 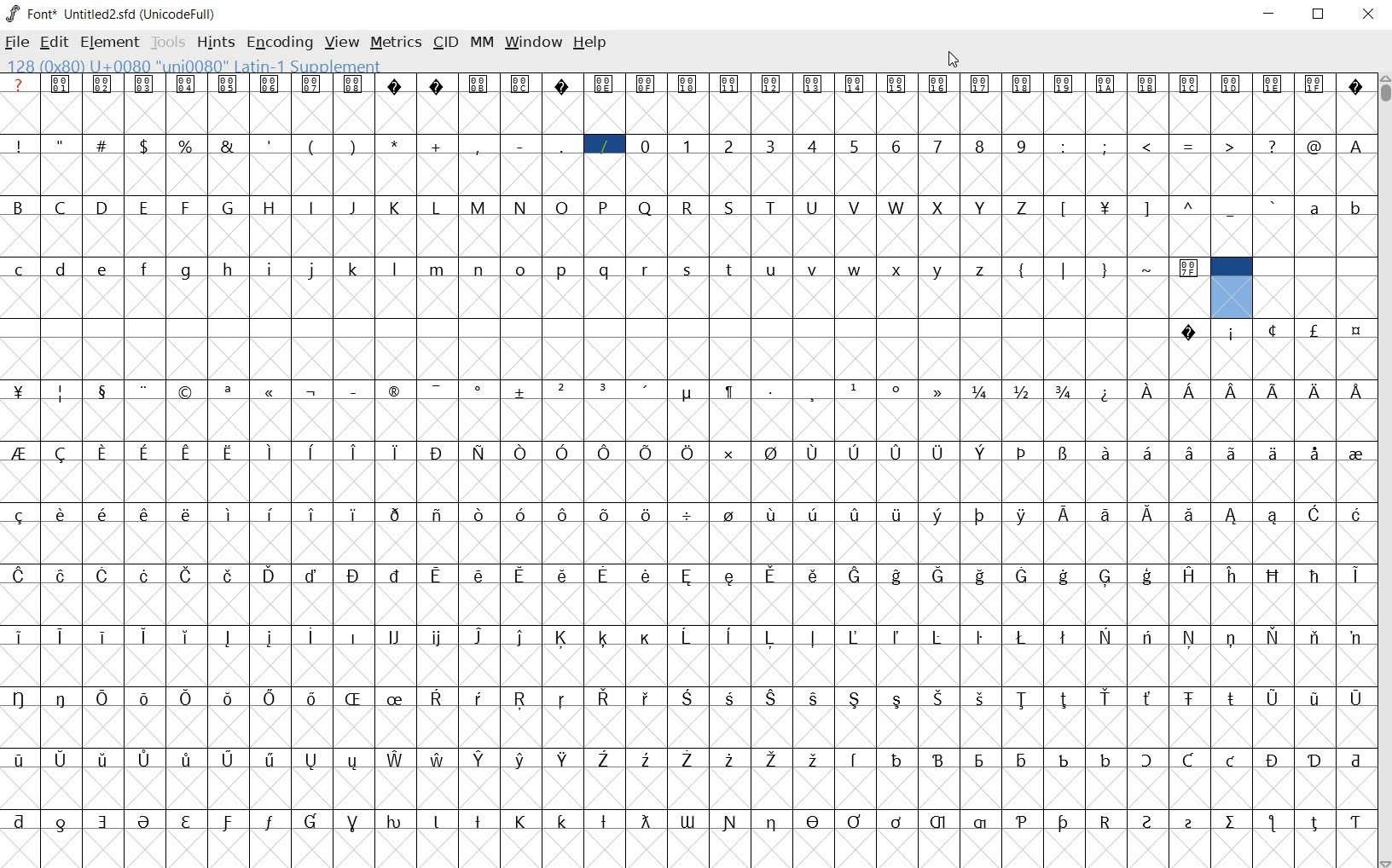 What do you see at coordinates (438, 268) in the screenshot?
I see `m` at bounding box center [438, 268].